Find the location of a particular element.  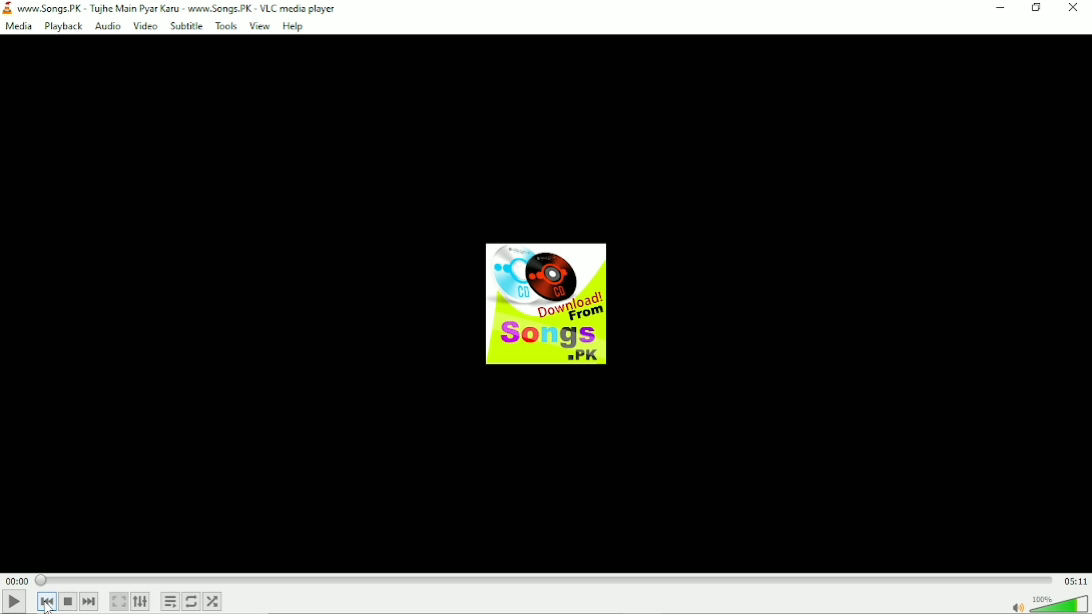

Next is located at coordinates (90, 601).